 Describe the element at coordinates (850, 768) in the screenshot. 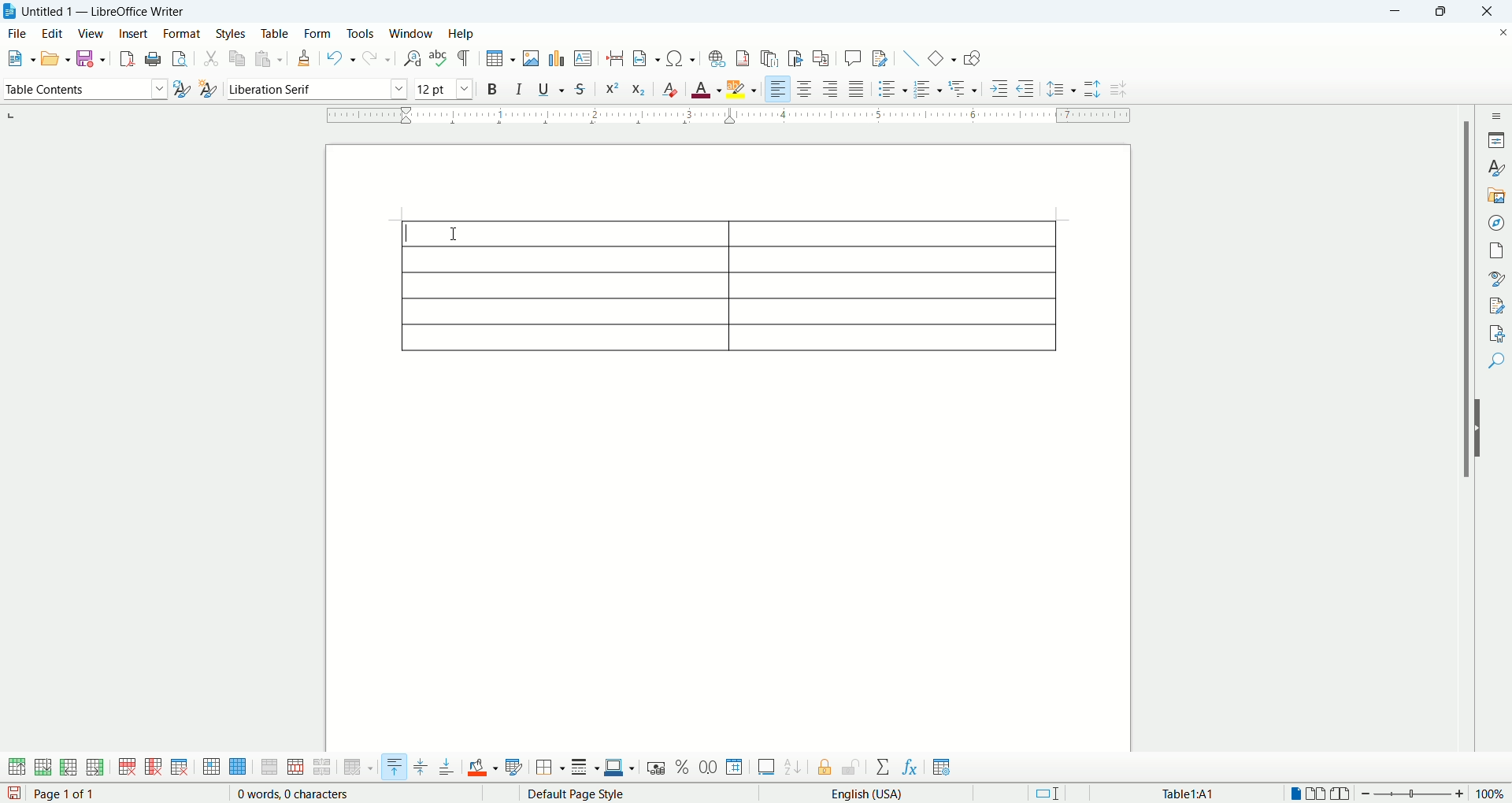

I see `unprotect cells` at that location.